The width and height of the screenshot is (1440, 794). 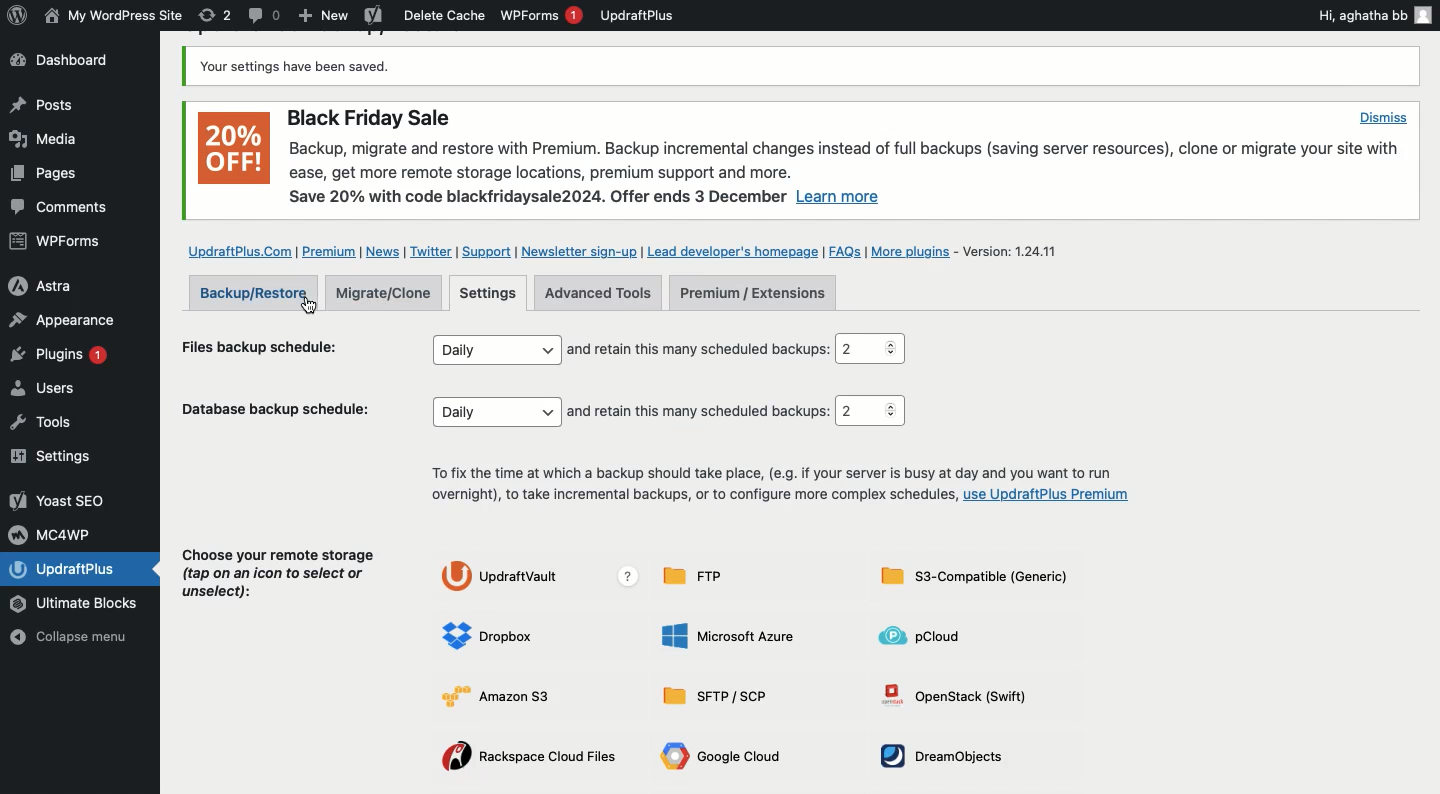 I want to click on Dashboard, so click(x=72, y=62).